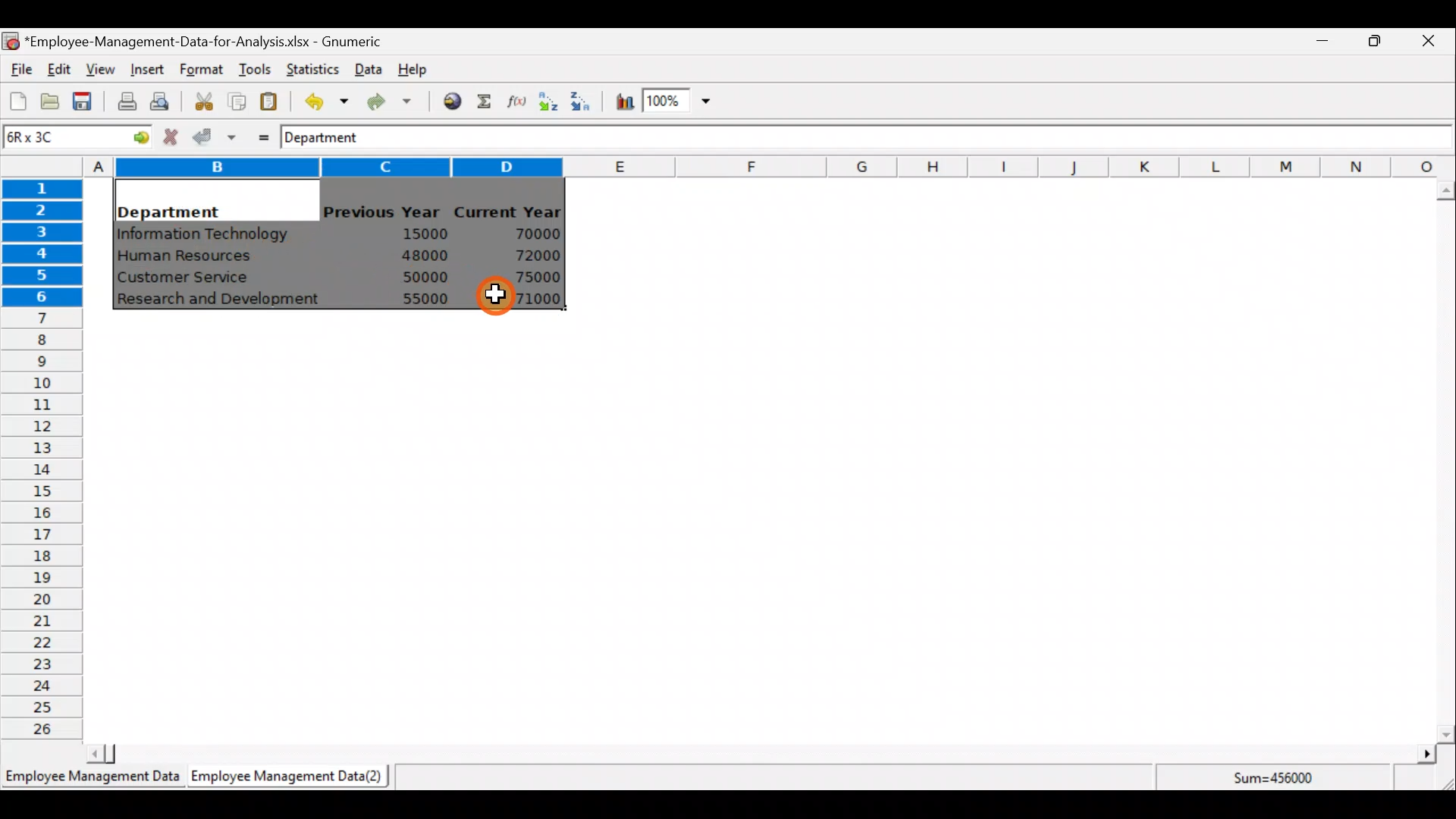 The width and height of the screenshot is (1456, 819). Describe the element at coordinates (510, 210) in the screenshot. I see `Current Year` at that location.